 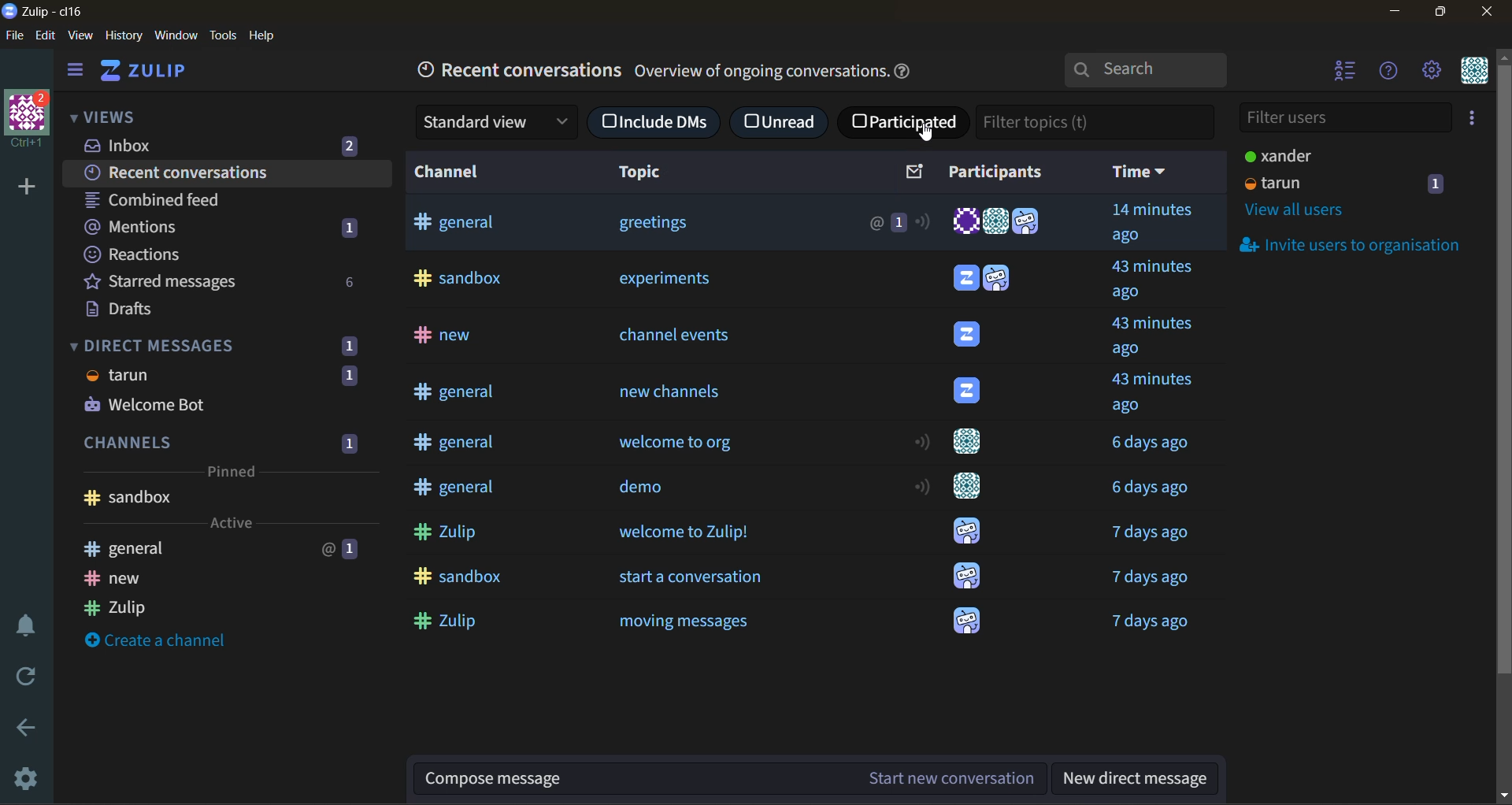 What do you see at coordinates (1156, 392) in the screenshot?
I see `time` at bounding box center [1156, 392].